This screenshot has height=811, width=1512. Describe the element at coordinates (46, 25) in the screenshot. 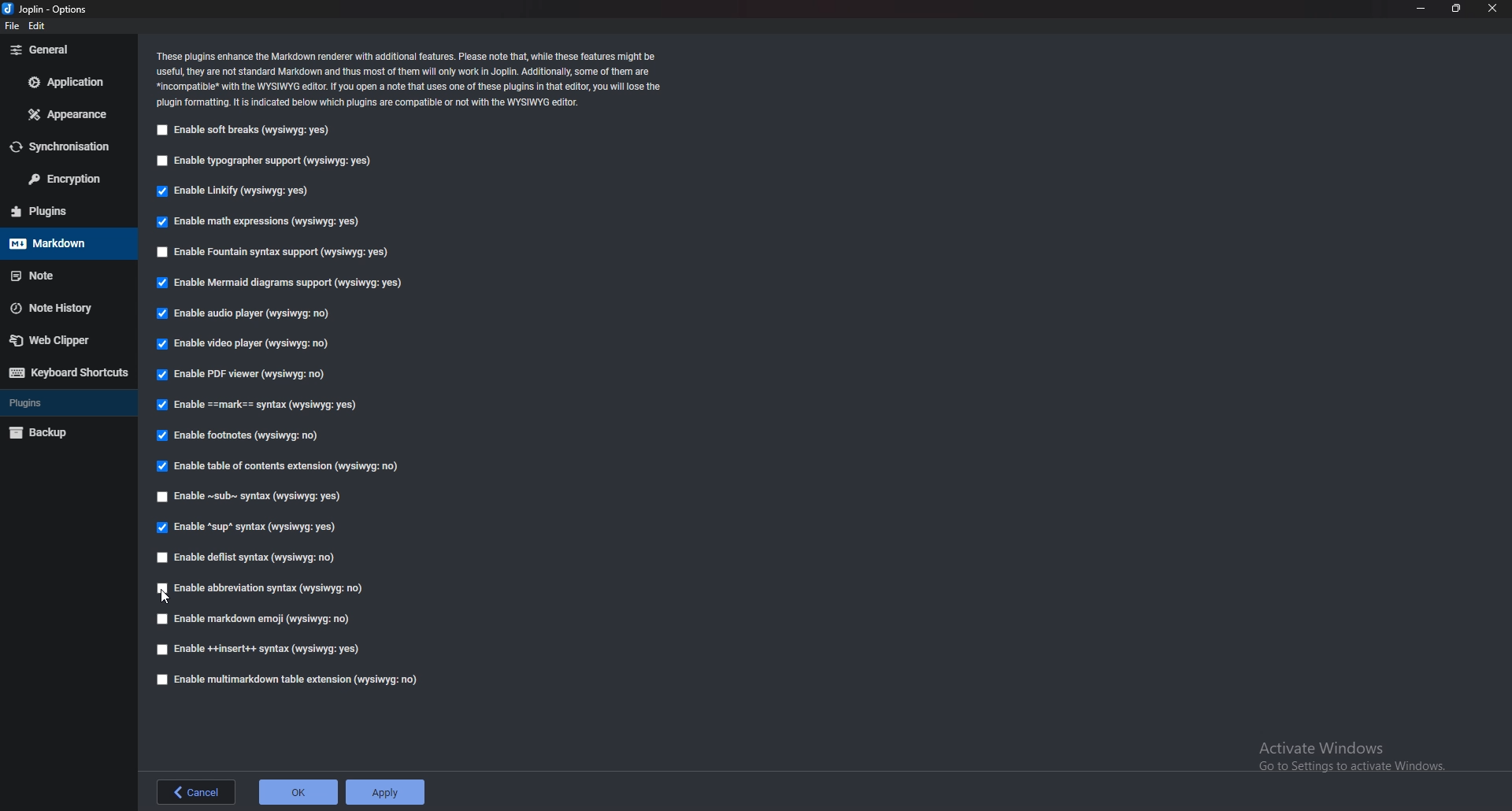

I see `edit` at that location.